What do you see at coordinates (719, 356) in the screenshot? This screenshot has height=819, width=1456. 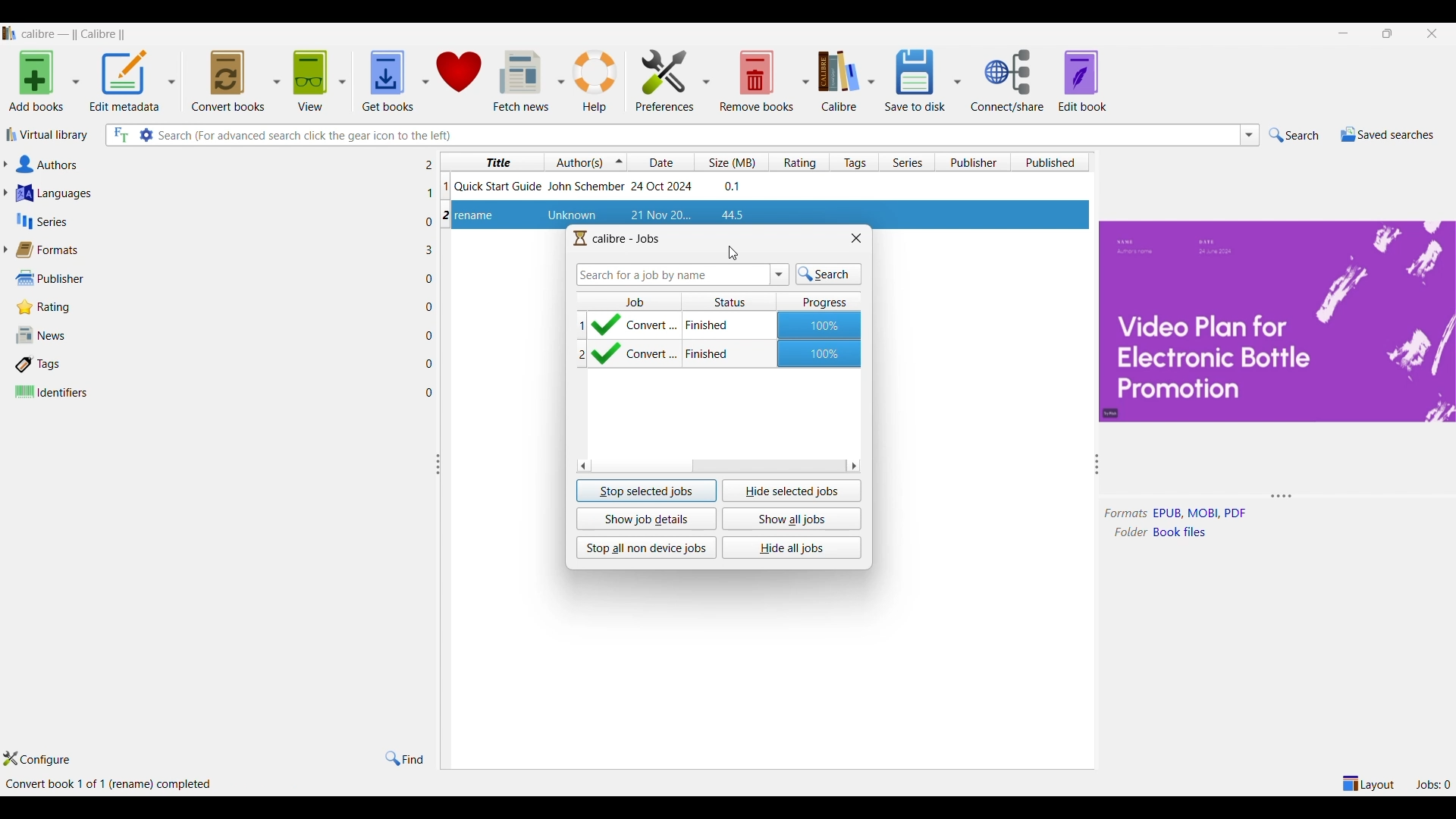 I see `Earlier conversion` at bounding box center [719, 356].